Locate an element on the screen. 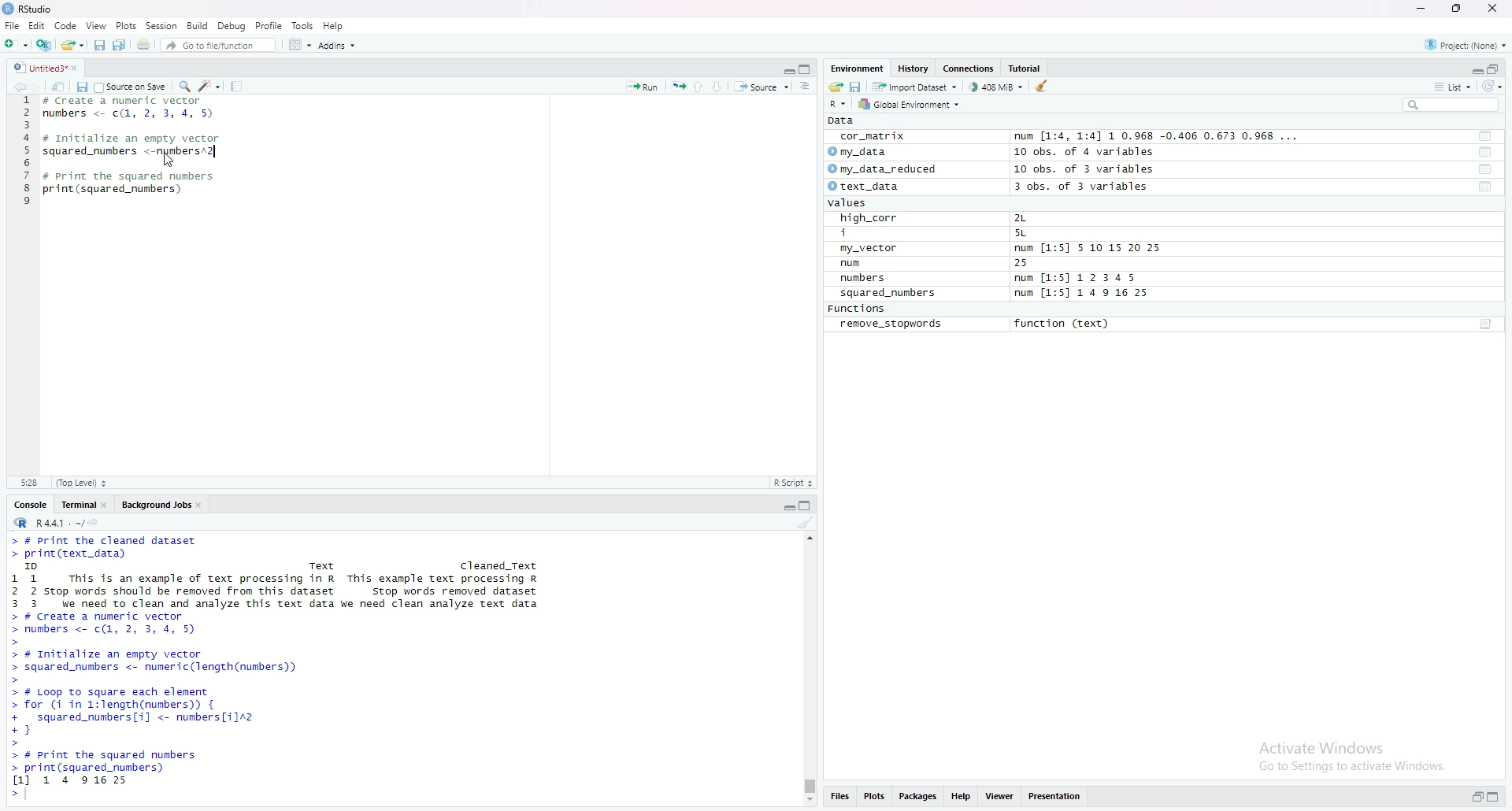  Source on save is located at coordinates (132, 86).